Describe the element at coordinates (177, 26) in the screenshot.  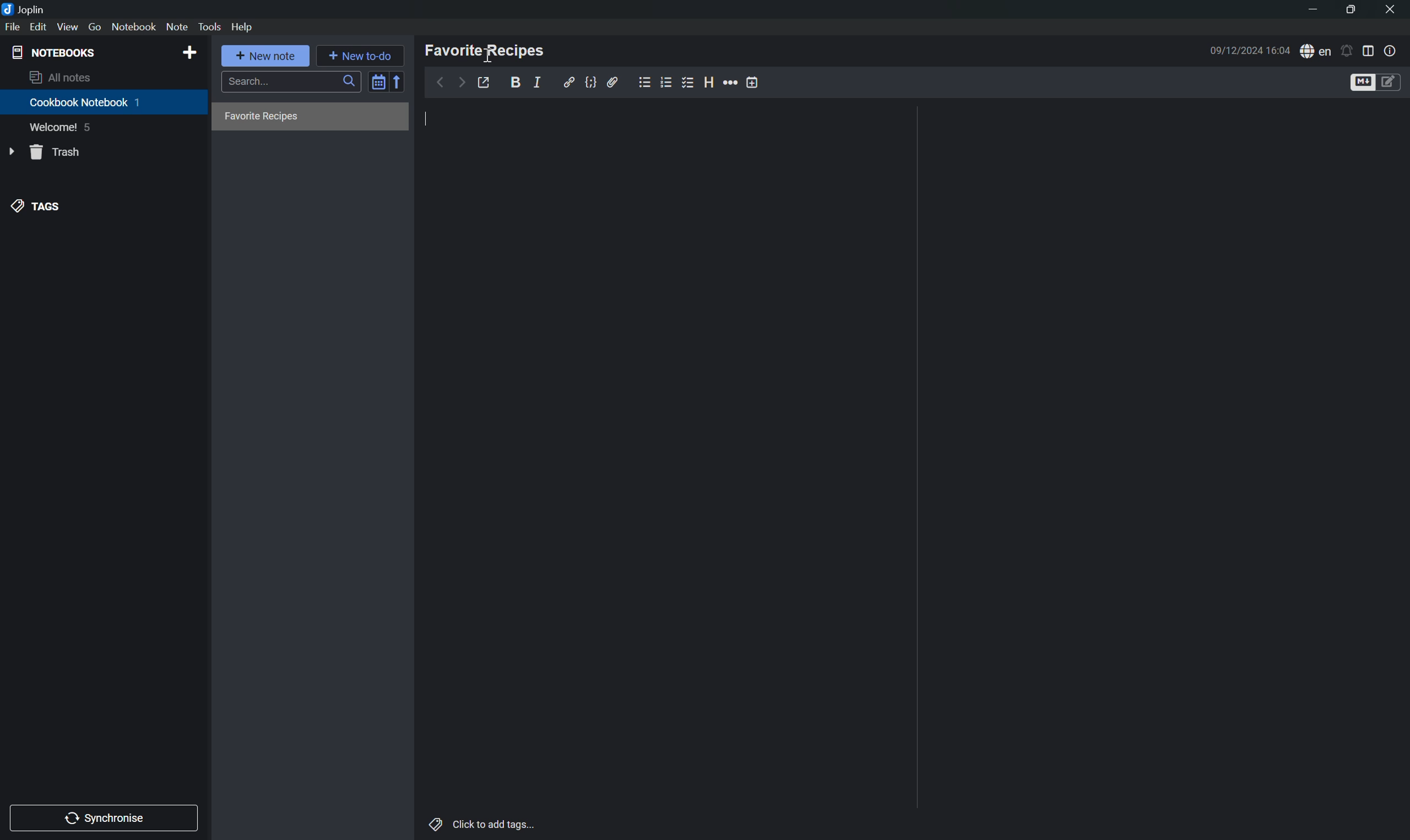
I see `Note` at that location.